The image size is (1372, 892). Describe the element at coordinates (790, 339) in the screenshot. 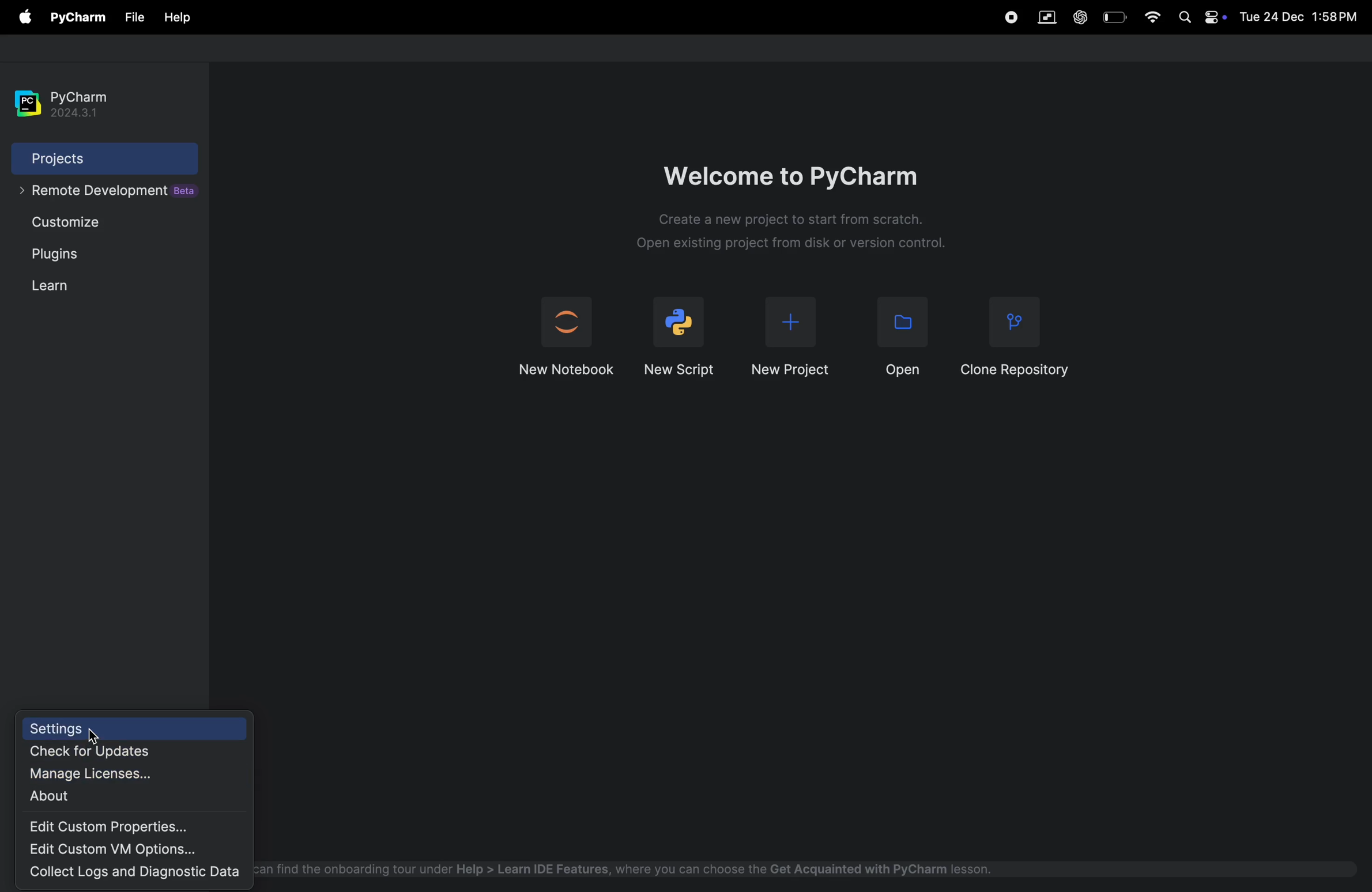

I see `new project` at that location.